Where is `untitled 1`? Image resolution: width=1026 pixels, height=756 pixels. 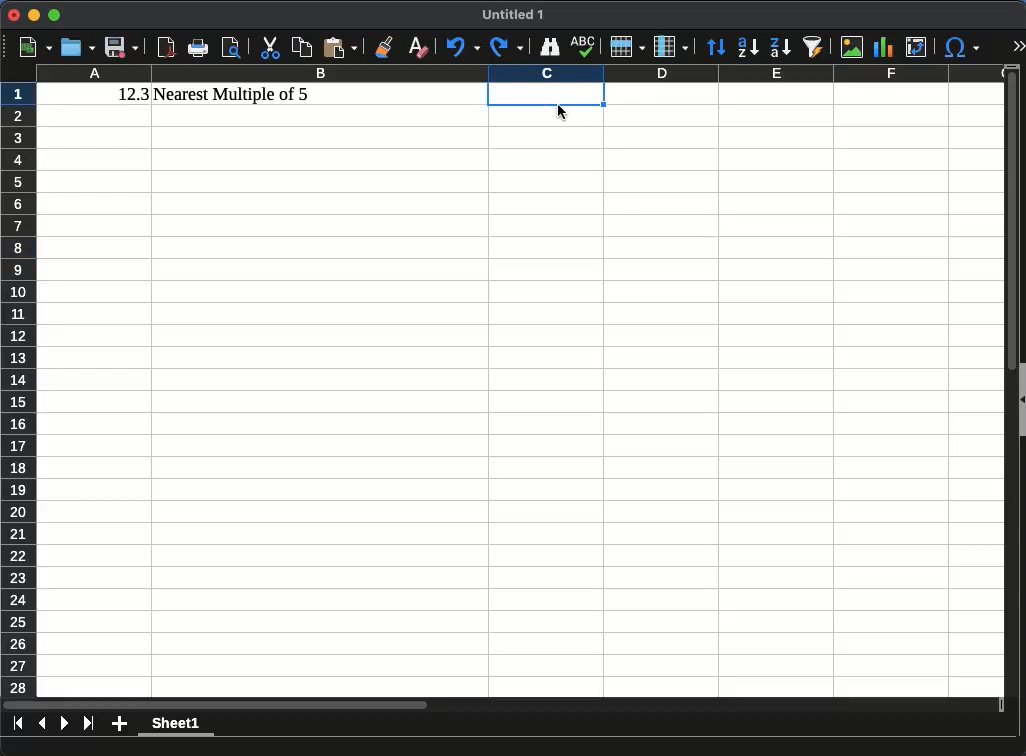 untitled 1 is located at coordinates (513, 15).